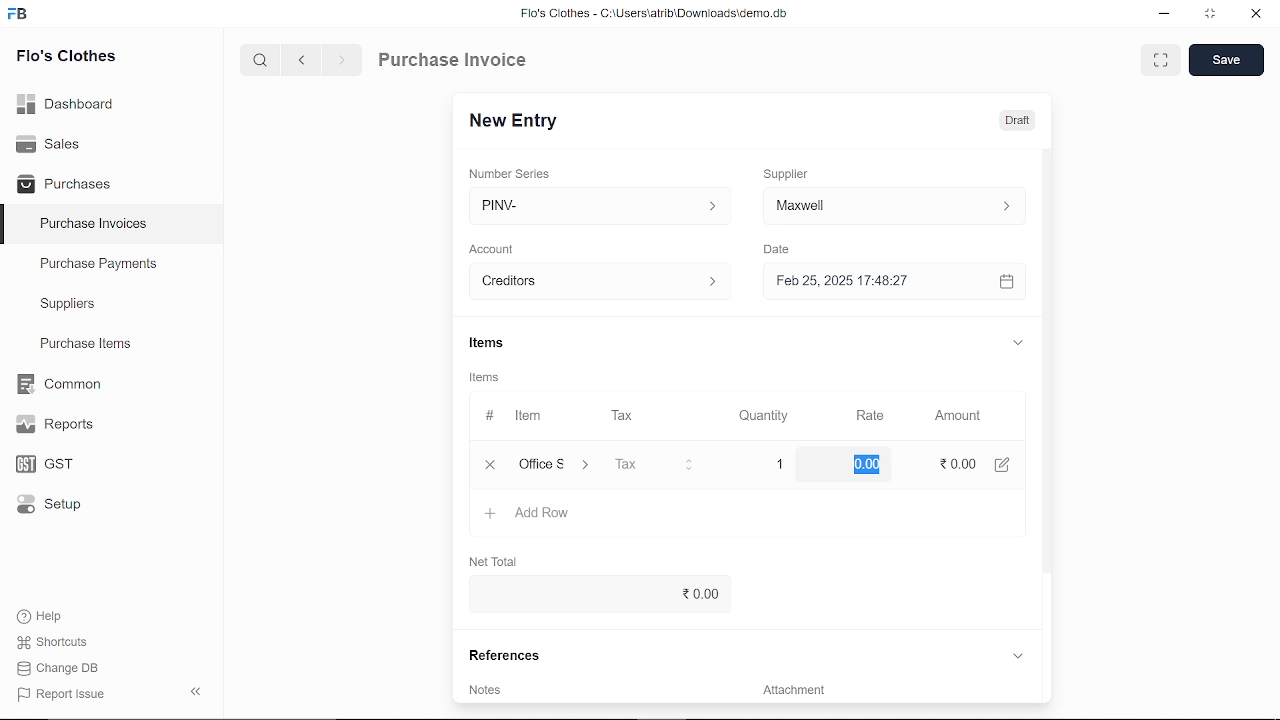 The image size is (1280, 720). What do you see at coordinates (83, 345) in the screenshot?
I see `Purchase ltems` at bounding box center [83, 345].